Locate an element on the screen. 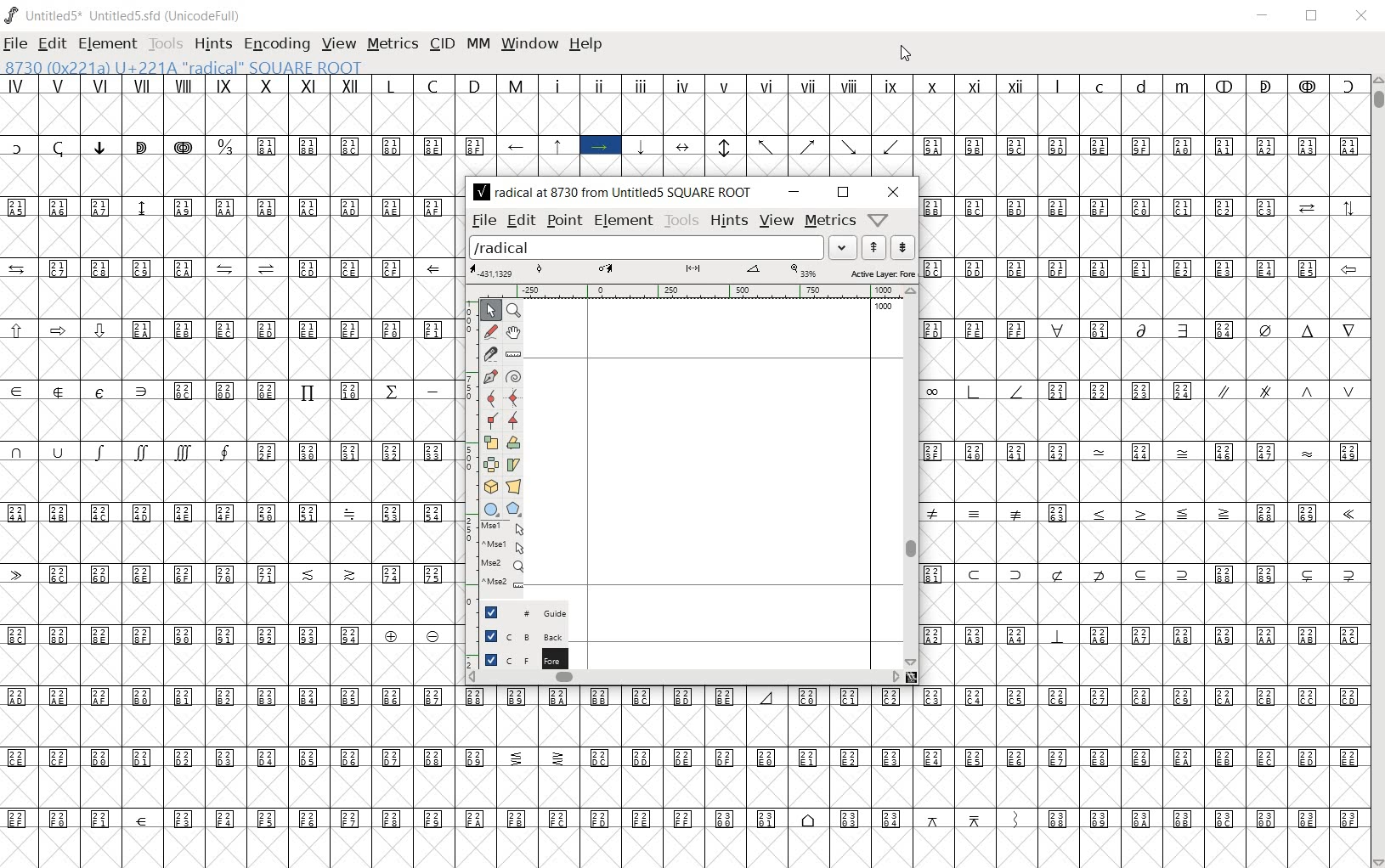 The image size is (1385, 868). HINTS is located at coordinates (212, 45).